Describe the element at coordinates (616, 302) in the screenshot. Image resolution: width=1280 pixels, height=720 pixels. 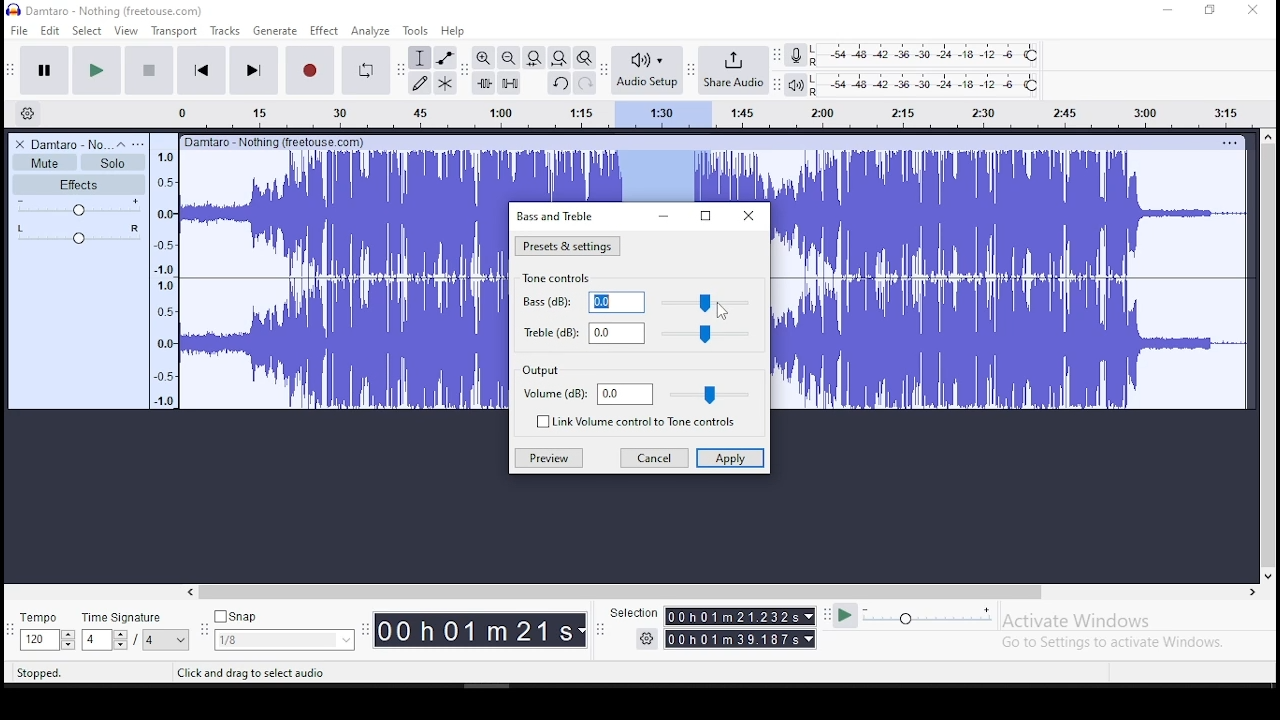
I see `0.0` at that location.